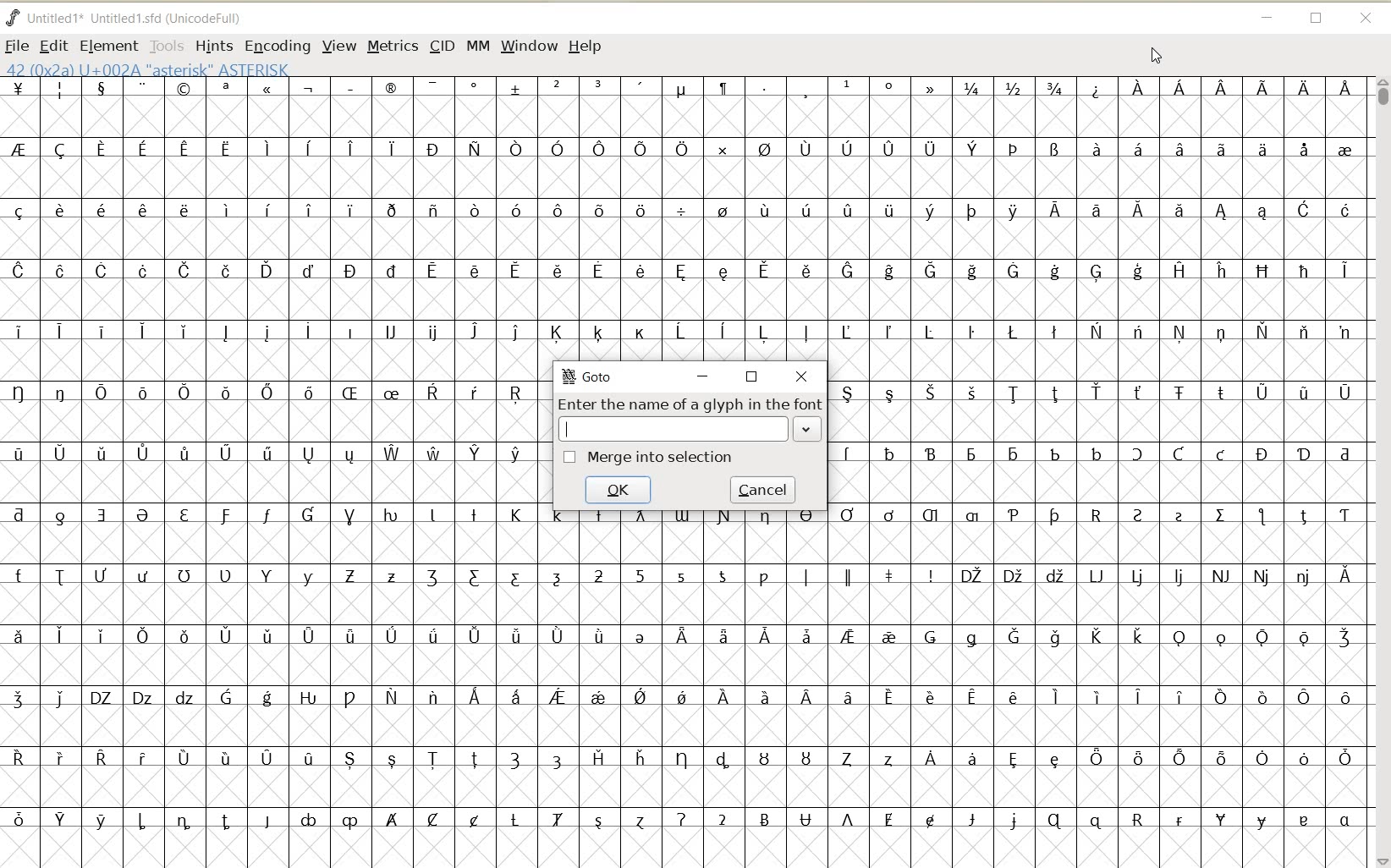  What do you see at coordinates (339, 47) in the screenshot?
I see `VIEW` at bounding box center [339, 47].